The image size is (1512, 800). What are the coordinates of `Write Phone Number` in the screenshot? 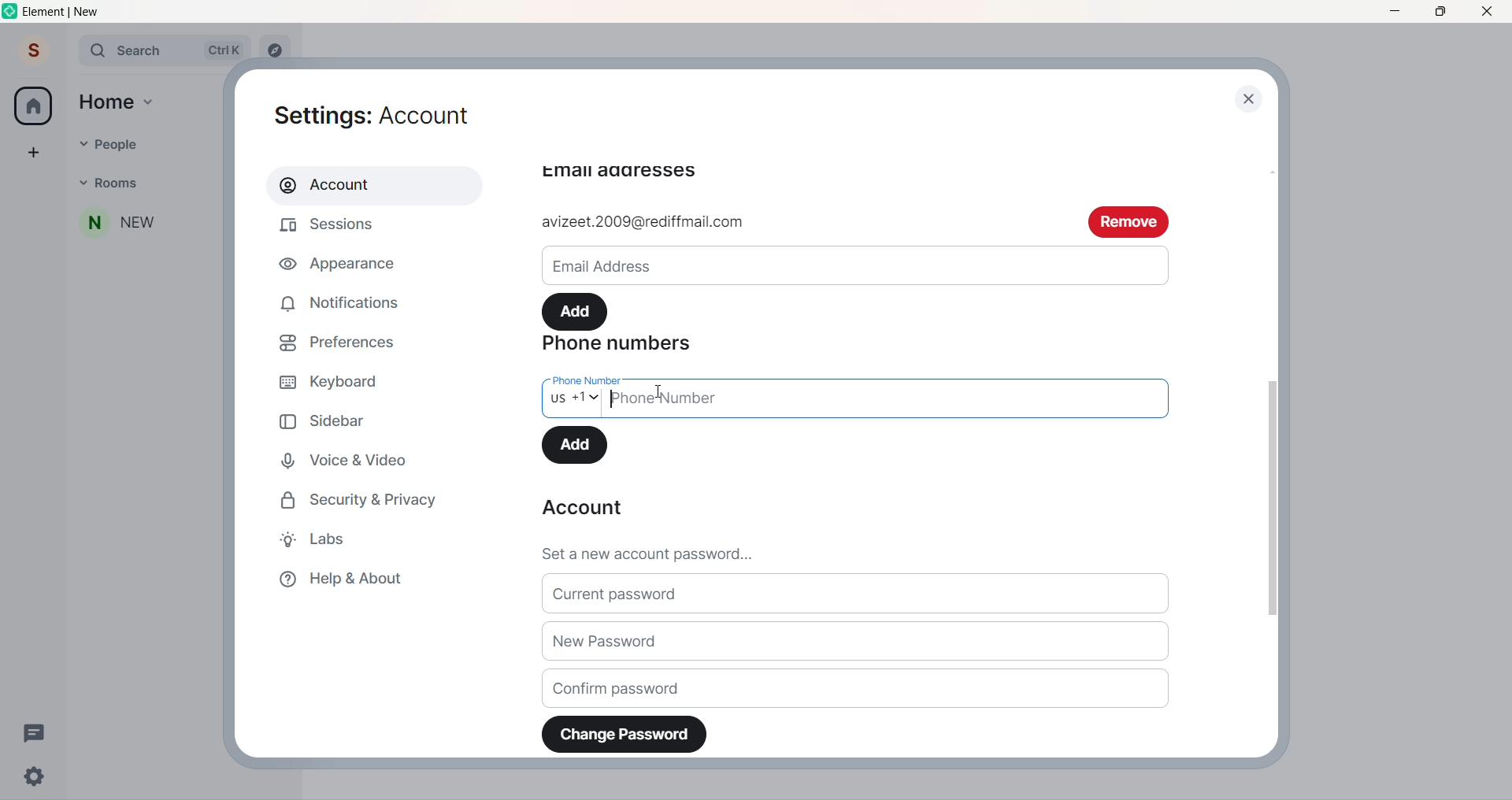 It's located at (897, 398).